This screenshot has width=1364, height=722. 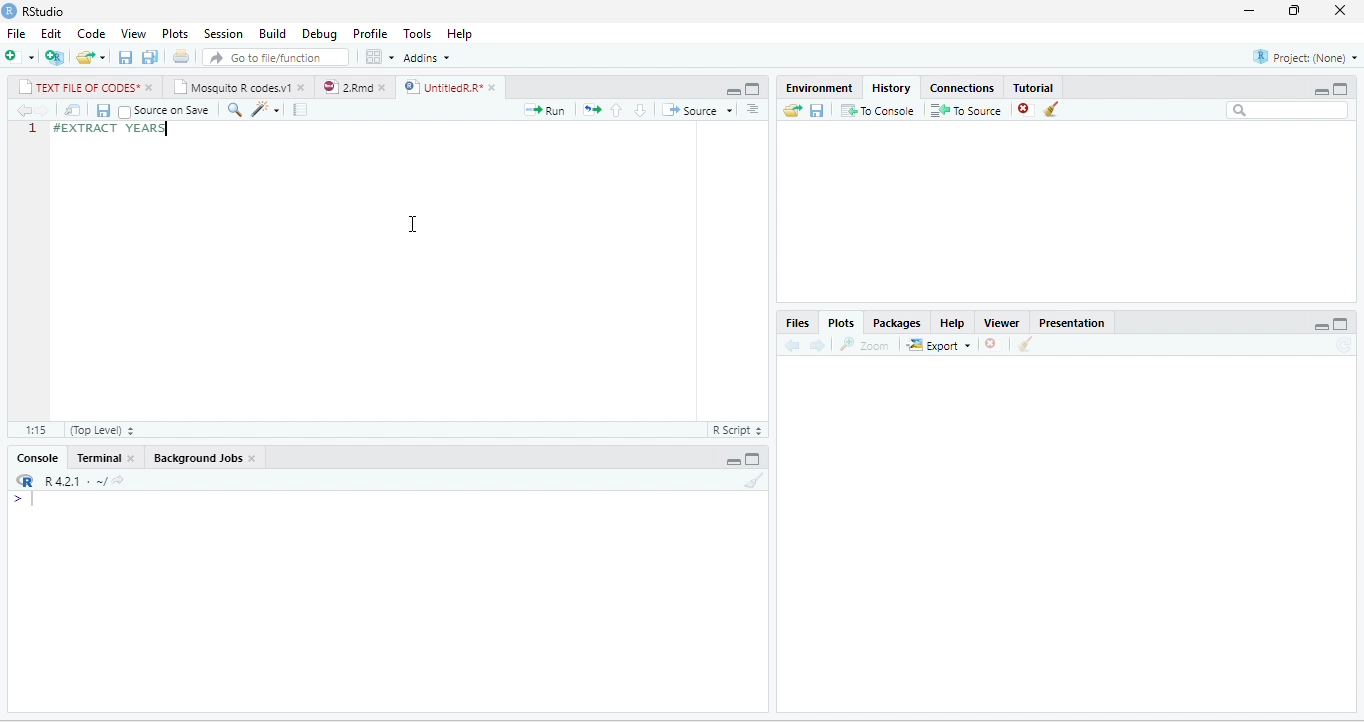 What do you see at coordinates (817, 345) in the screenshot?
I see `forward` at bounding box center [817, 345].